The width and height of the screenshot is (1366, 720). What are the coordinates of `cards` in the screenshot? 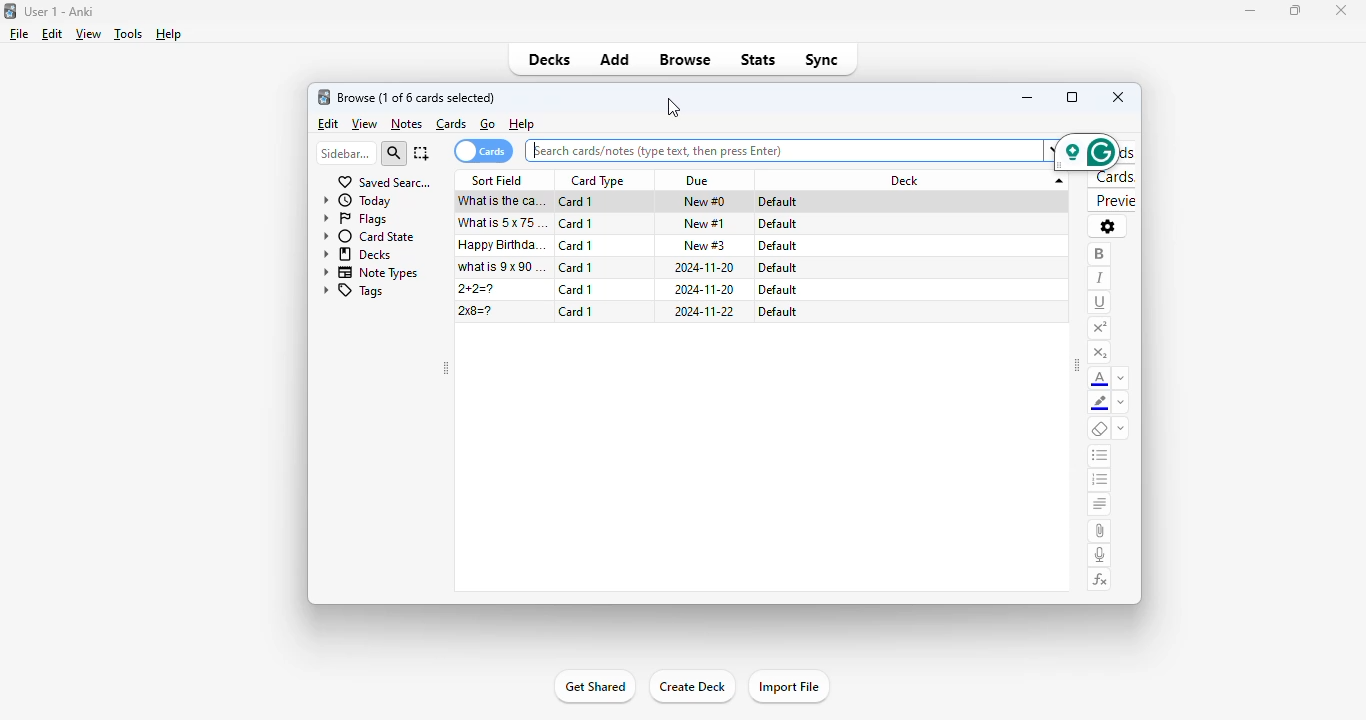 It's located at (1112, 177).